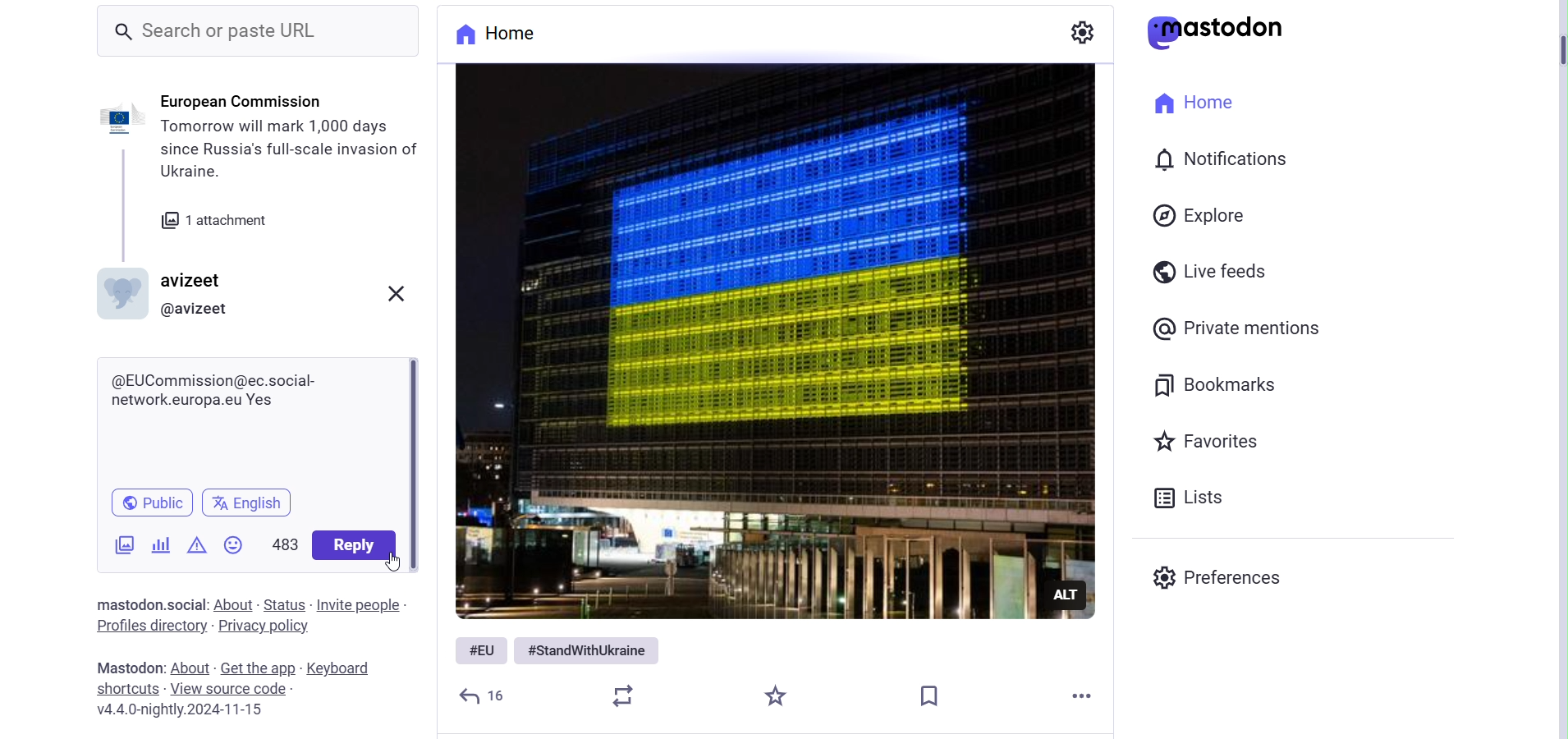  What do you see at coordinates (131, 668) in the screenshot?
I see `Mastodon` at bounding box center [131, 668].